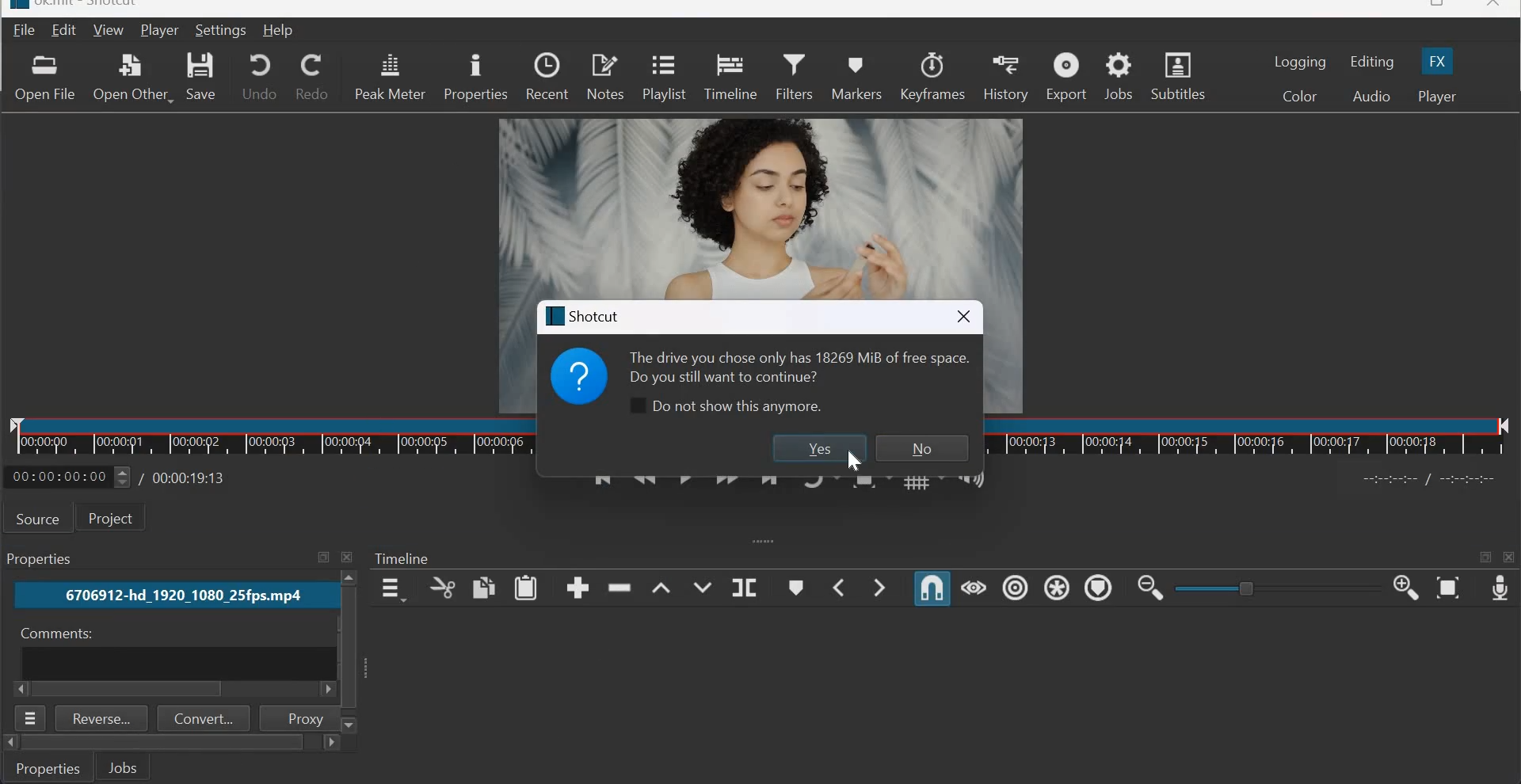 The height and width of the screenshot is (784, 1521). What do you see at coordinates (932, 589) in the screenshot?
I see `Snap` at bounding box center [932, 589].